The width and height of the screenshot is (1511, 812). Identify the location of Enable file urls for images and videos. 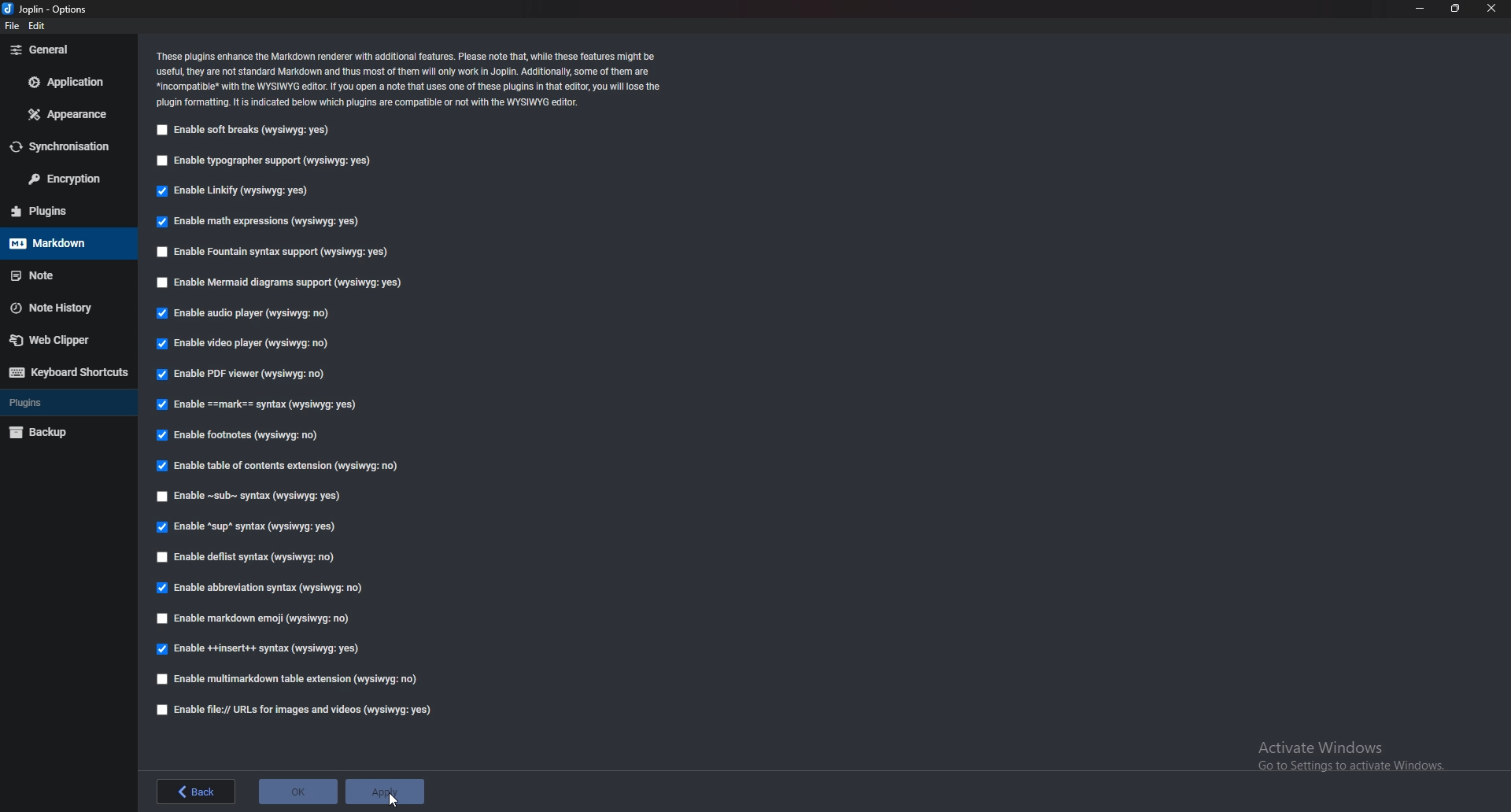
(292, 710).